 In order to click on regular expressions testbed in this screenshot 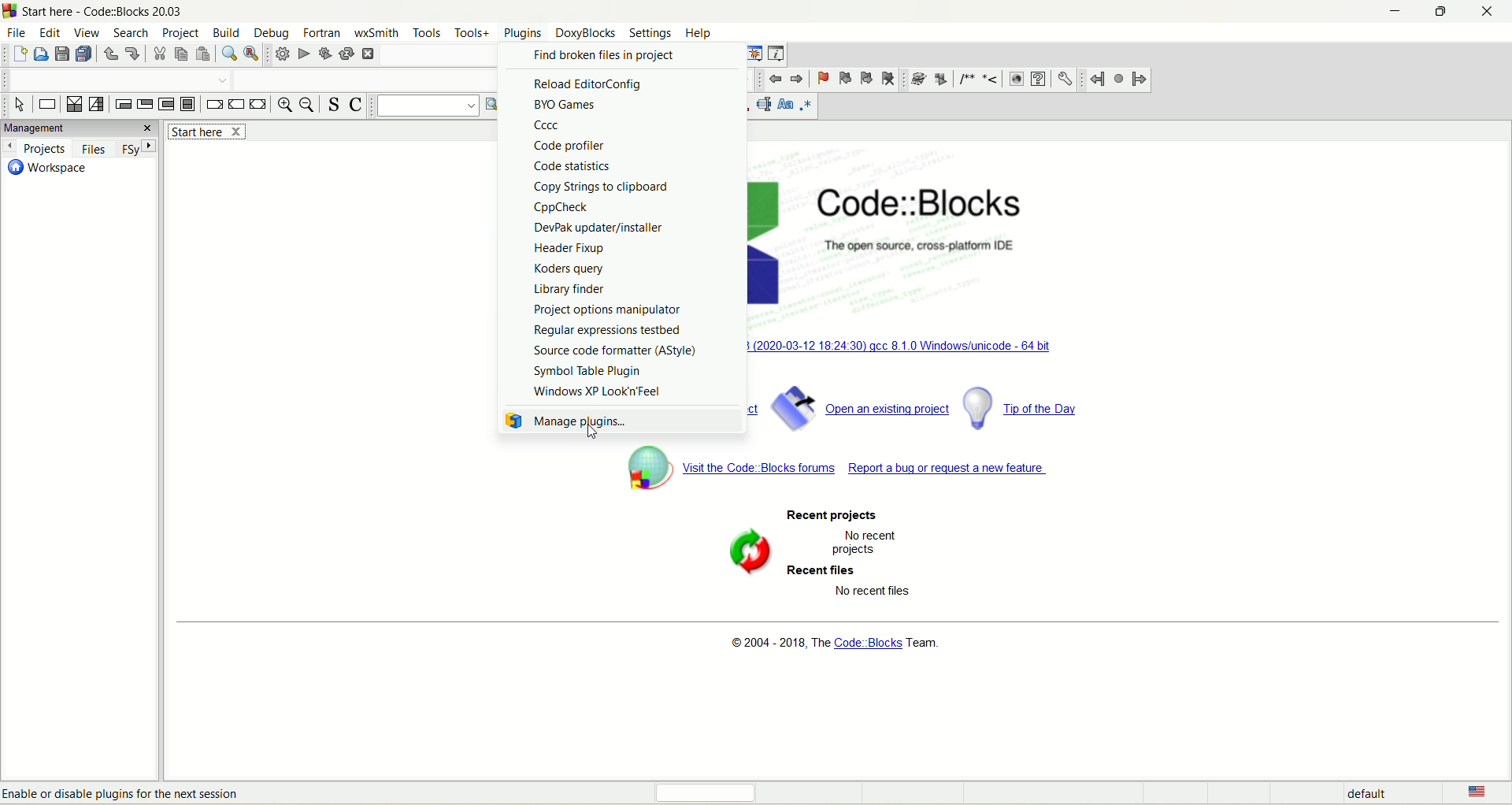, I will do `click(611, 331)`.